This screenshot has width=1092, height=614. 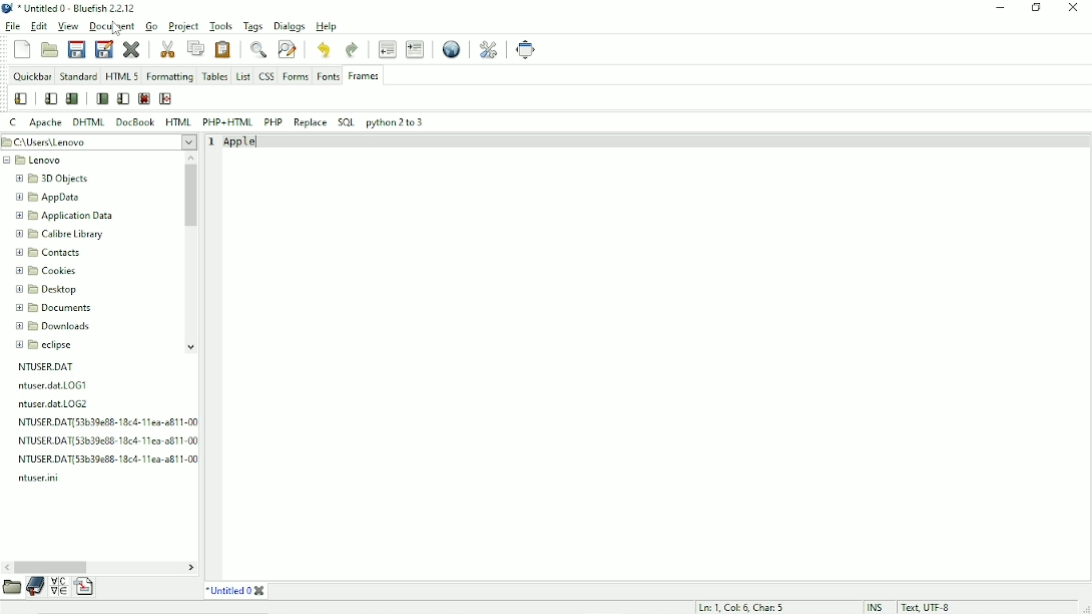 What do you see at coordinates (190, 195) in the screenshot?
I see `Vertical scrollbar` at bounding box center [190, 195].